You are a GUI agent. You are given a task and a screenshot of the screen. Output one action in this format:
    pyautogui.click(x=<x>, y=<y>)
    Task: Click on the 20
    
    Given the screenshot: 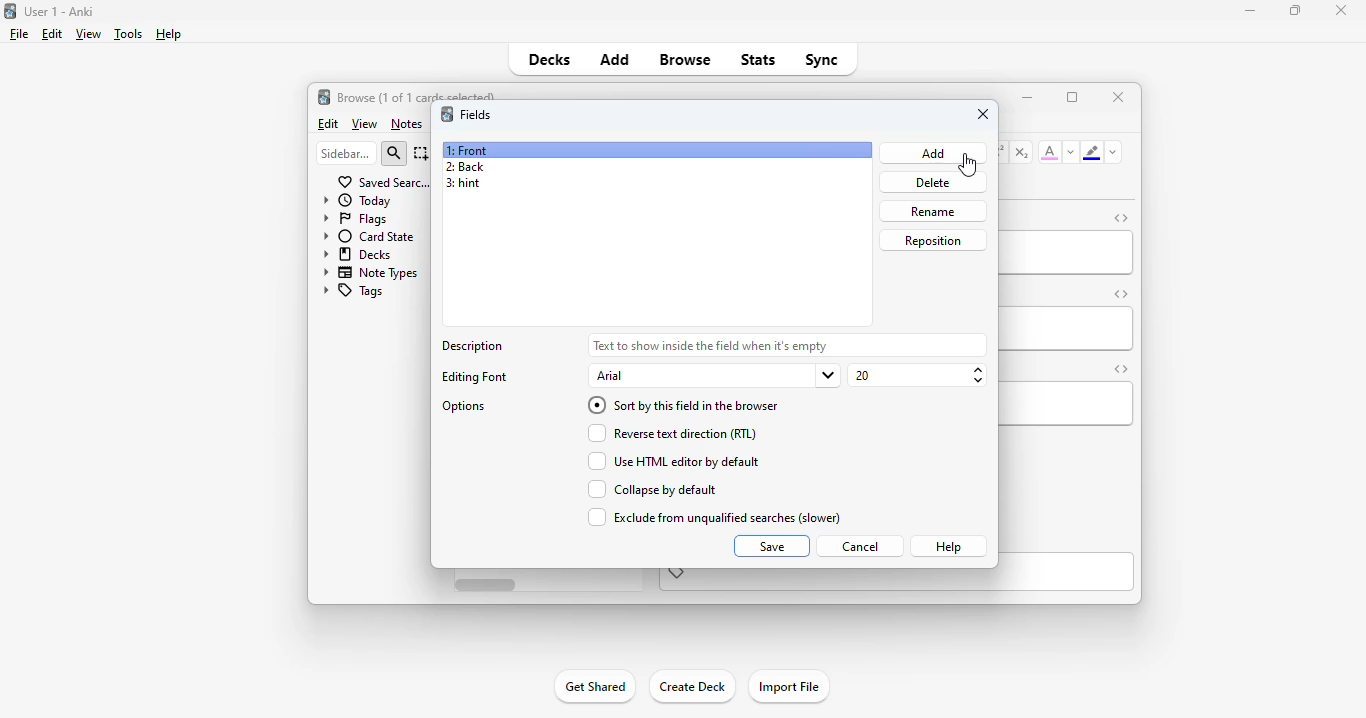 What is the action you would take?
    pyautogui.click(x=919, y=376)
    